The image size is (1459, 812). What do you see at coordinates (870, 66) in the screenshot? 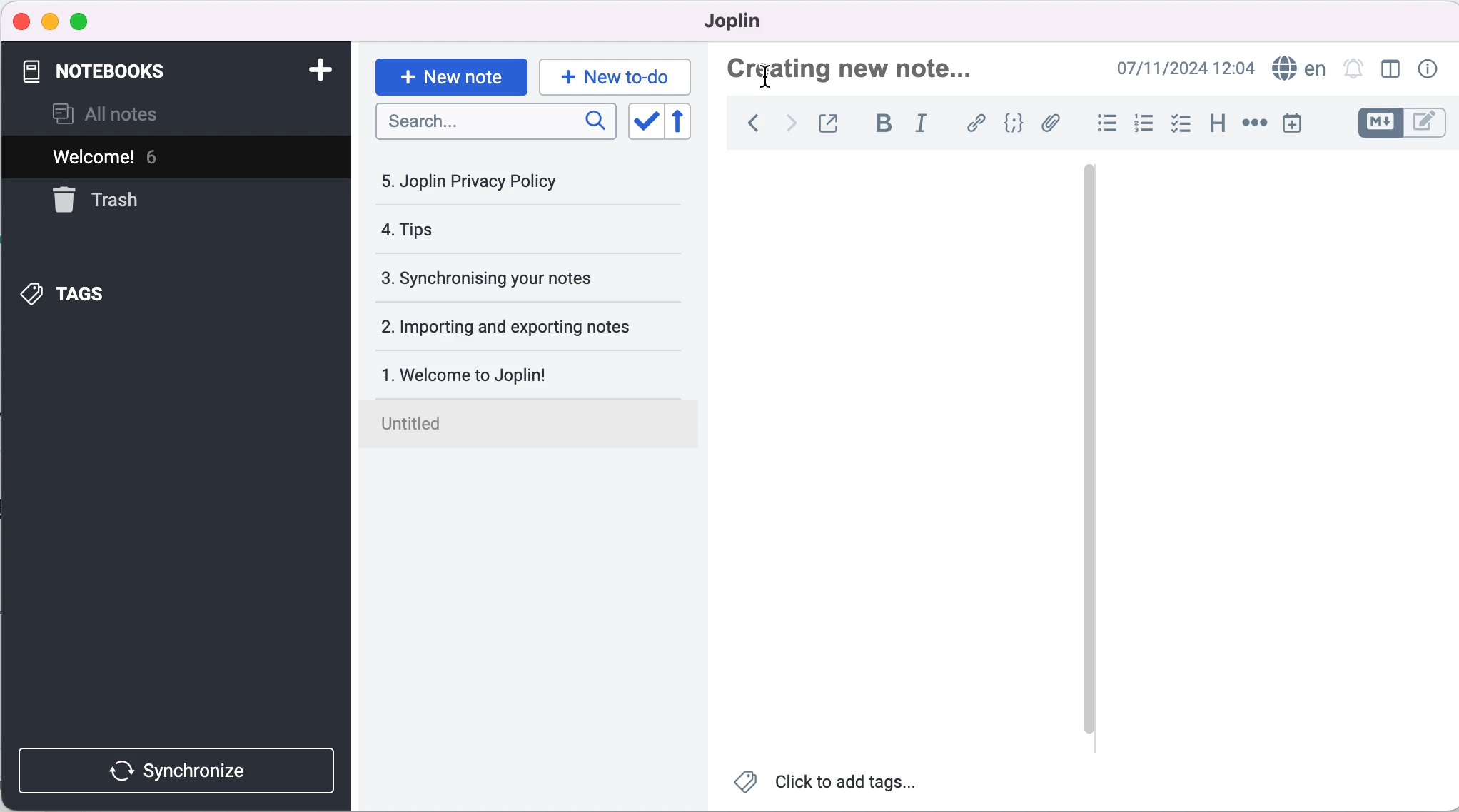
I see `creating new note` at bounding box center [870, 66].